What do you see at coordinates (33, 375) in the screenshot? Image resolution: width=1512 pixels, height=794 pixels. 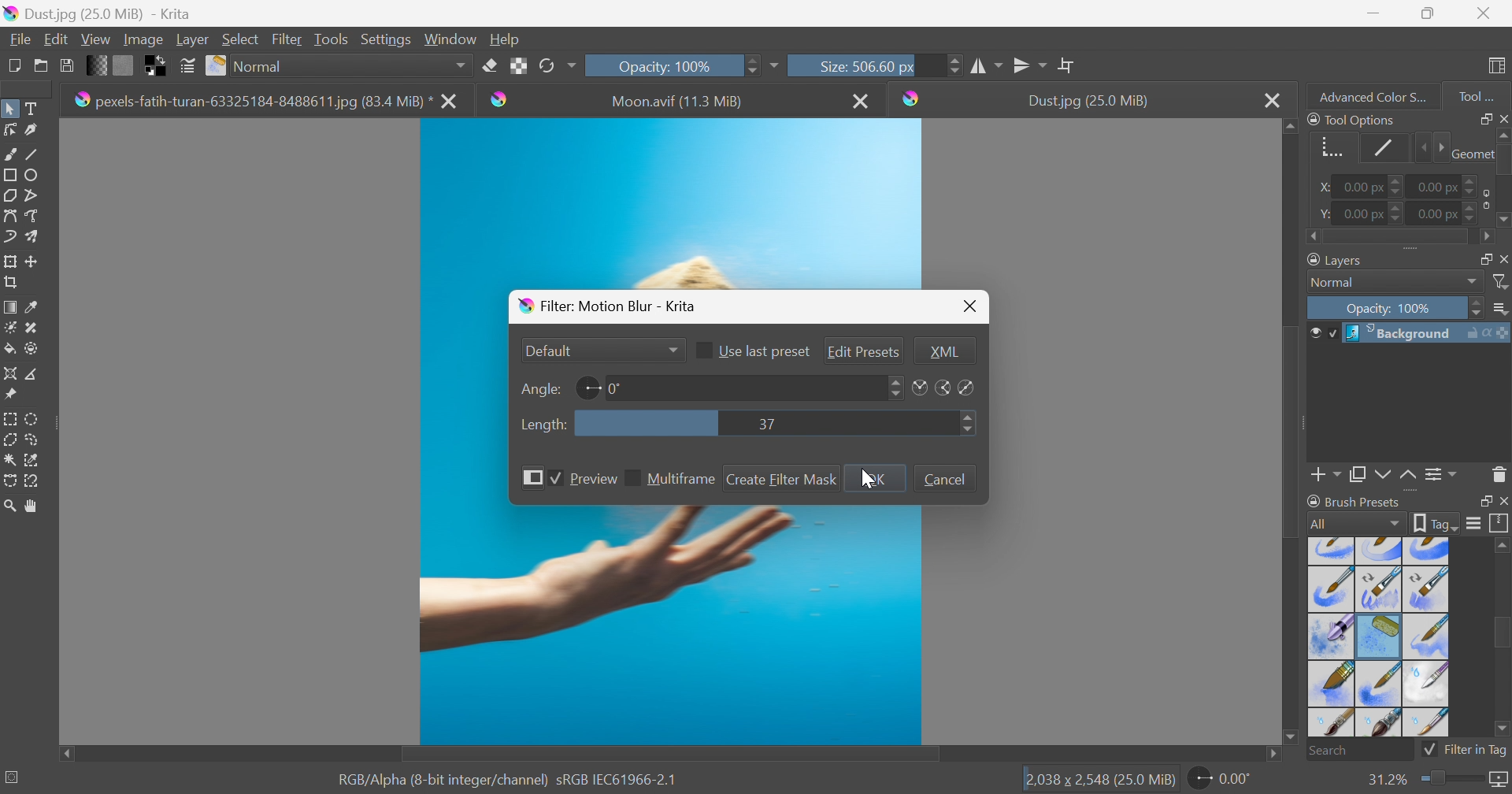 I see `Measure the distance between two points` at bounding box center [33, 375].